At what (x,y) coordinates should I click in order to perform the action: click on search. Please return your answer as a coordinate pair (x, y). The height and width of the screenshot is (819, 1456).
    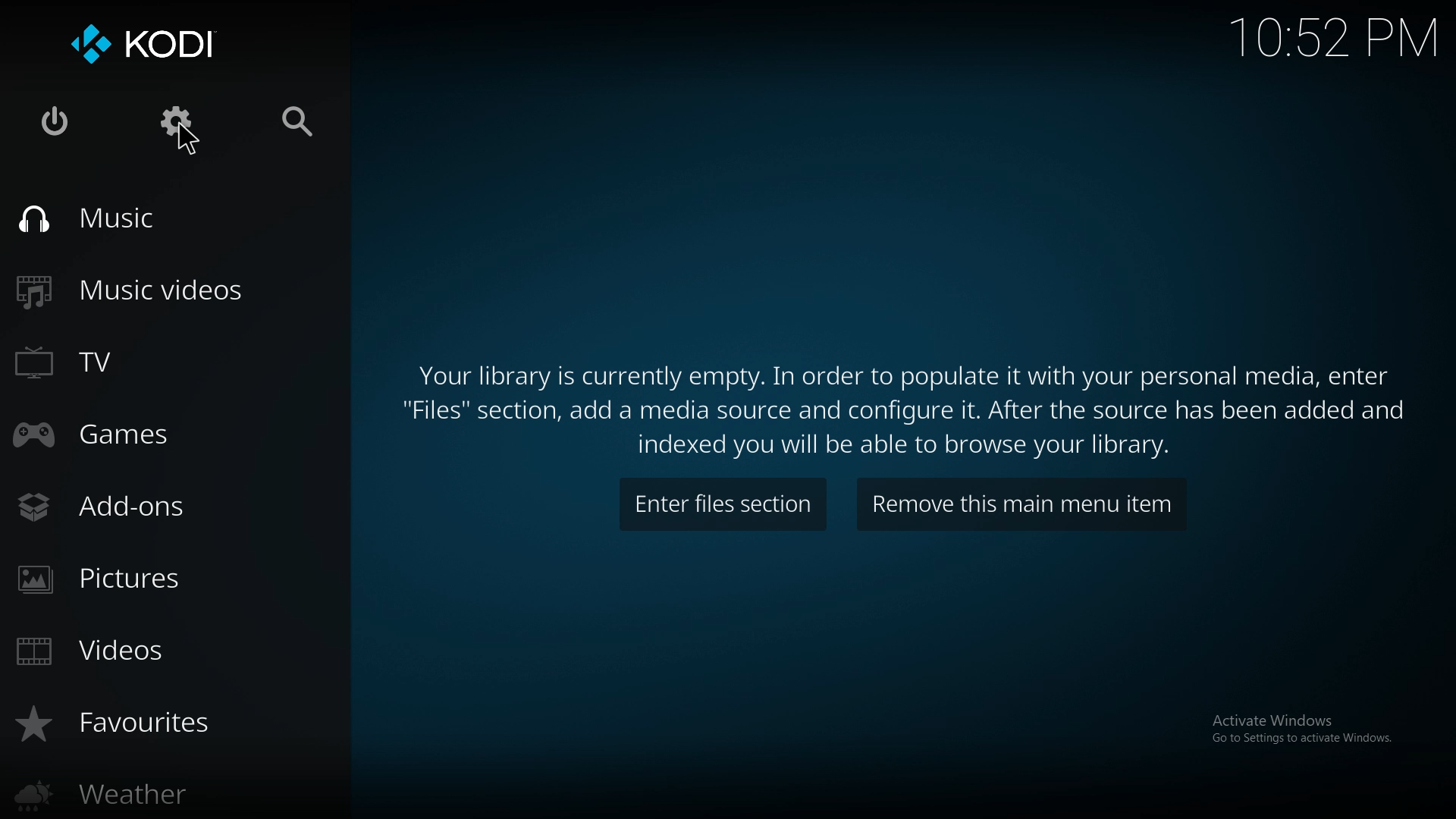
    Looking at the image, I should click on (303, 123).